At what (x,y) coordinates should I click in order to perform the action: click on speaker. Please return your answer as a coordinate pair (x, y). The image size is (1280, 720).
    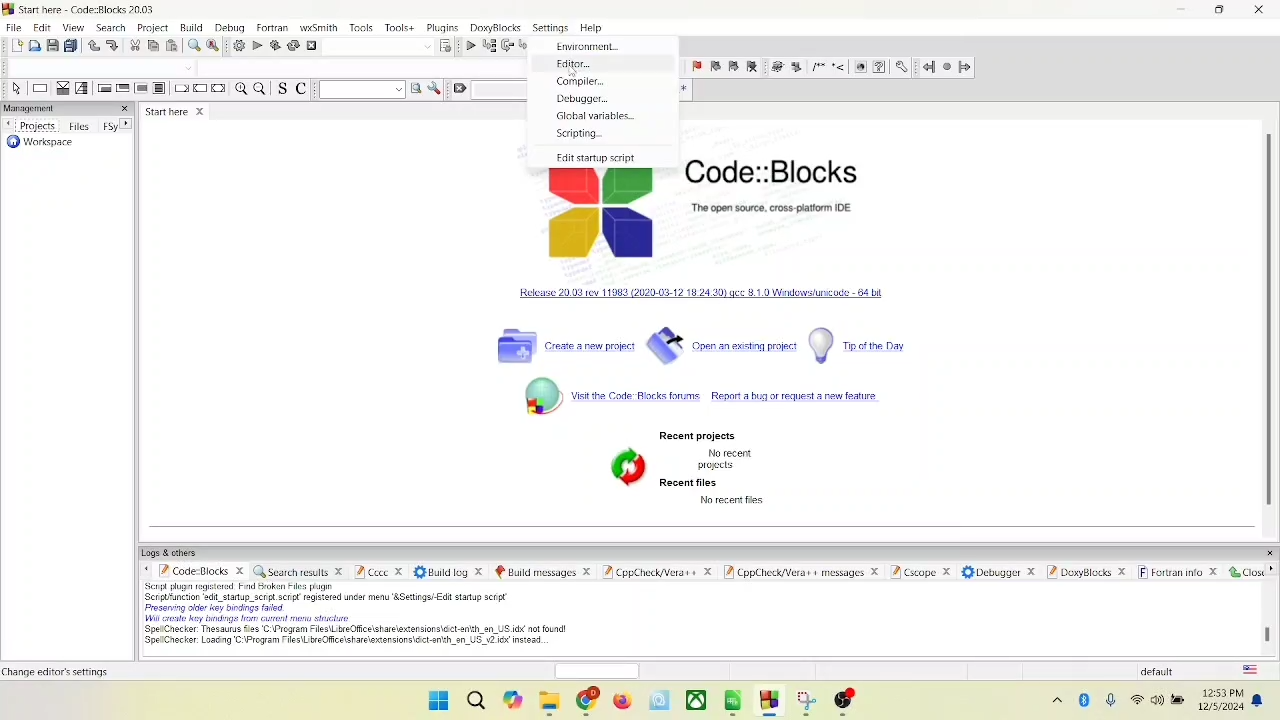
    Looking at the image, I should click on (1157, 701).